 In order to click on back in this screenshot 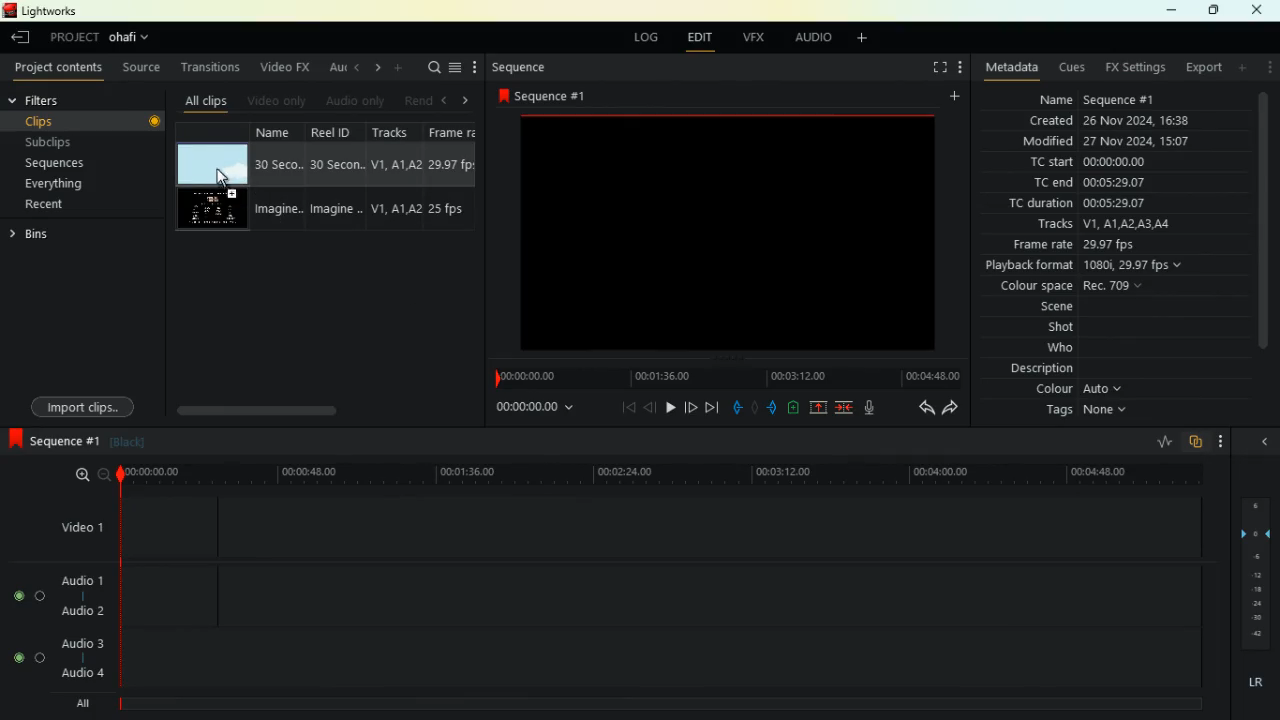, I will do `click(22, 39)`.